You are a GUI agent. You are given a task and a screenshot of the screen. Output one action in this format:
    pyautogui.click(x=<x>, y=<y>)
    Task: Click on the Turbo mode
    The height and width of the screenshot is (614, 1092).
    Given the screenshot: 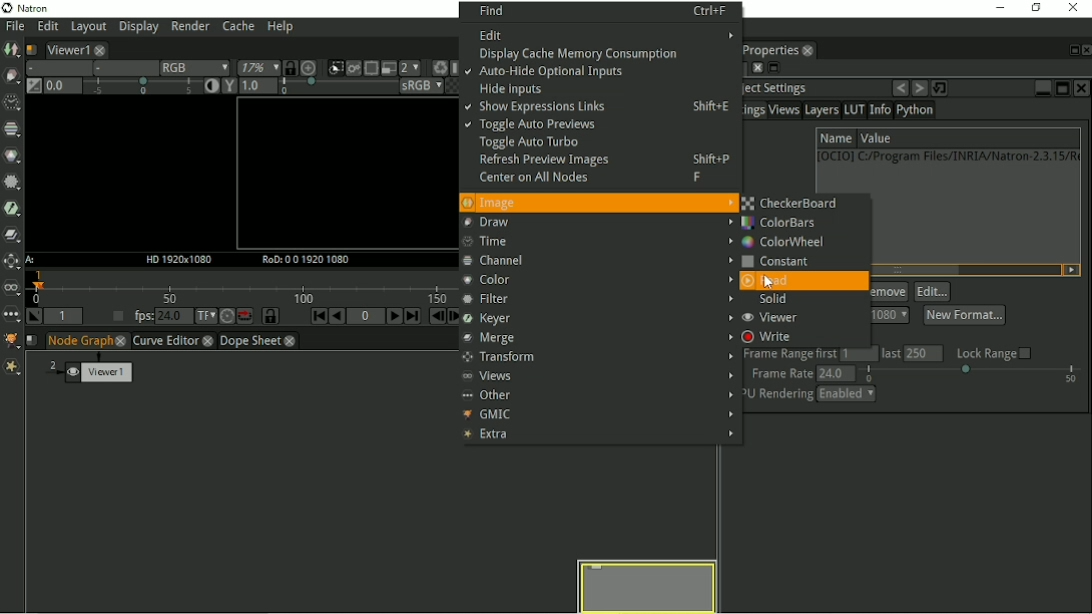 What is the action you would take?
    pyautogui.click(x=221, y=316)
    